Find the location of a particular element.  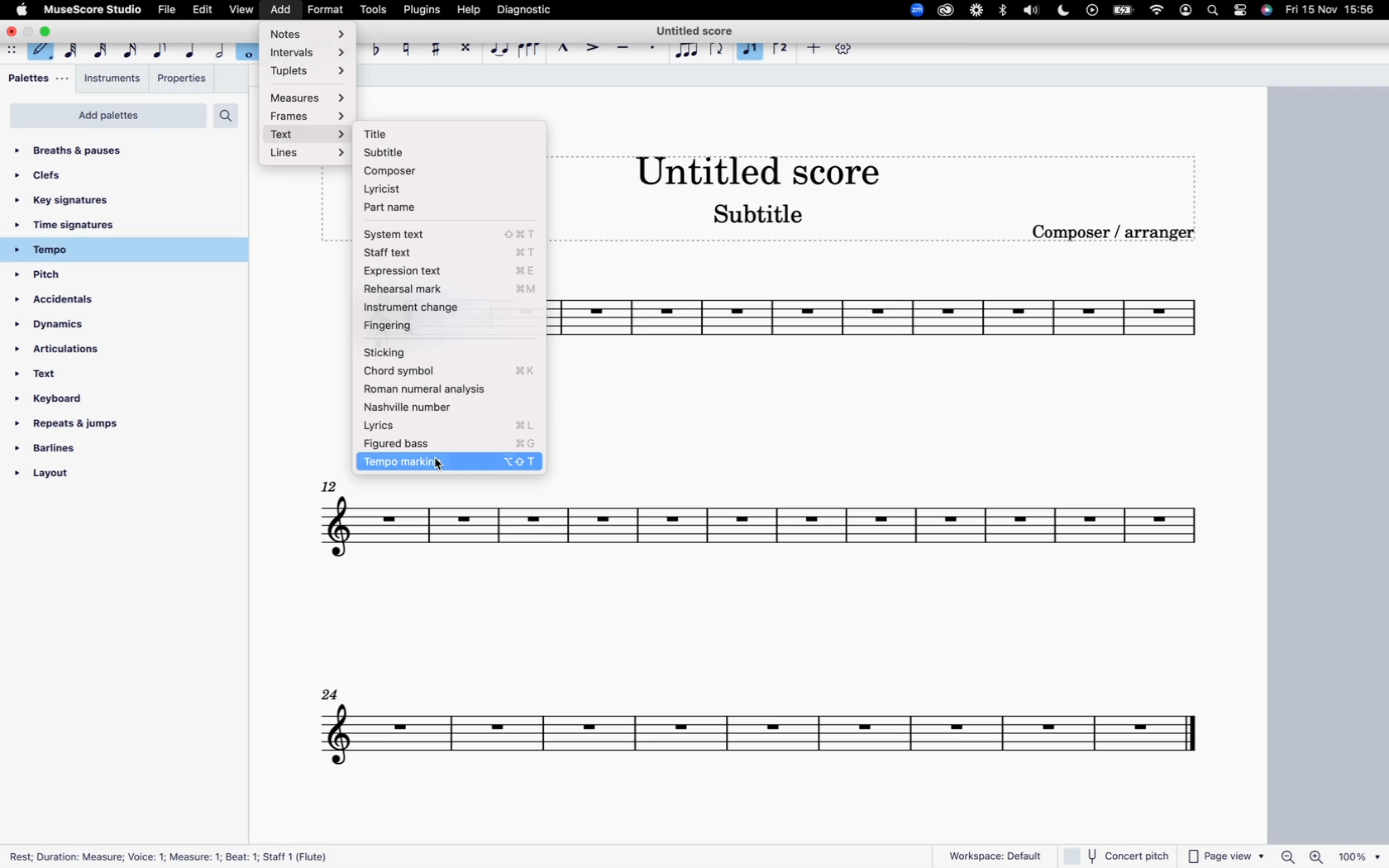

search is located at coordinates (1210, 12).